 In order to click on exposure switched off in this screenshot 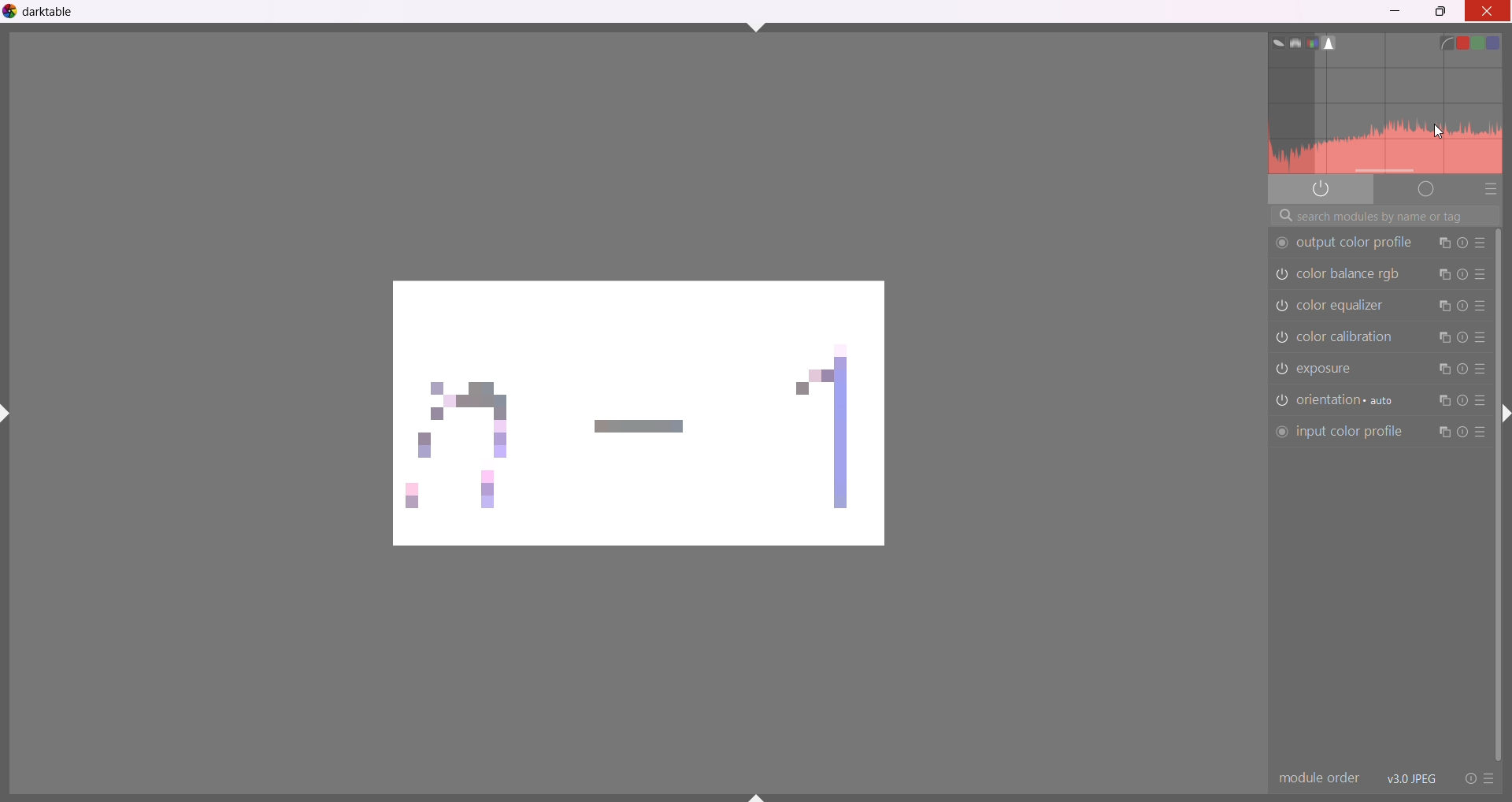, I will do `click(1280, 369)`.